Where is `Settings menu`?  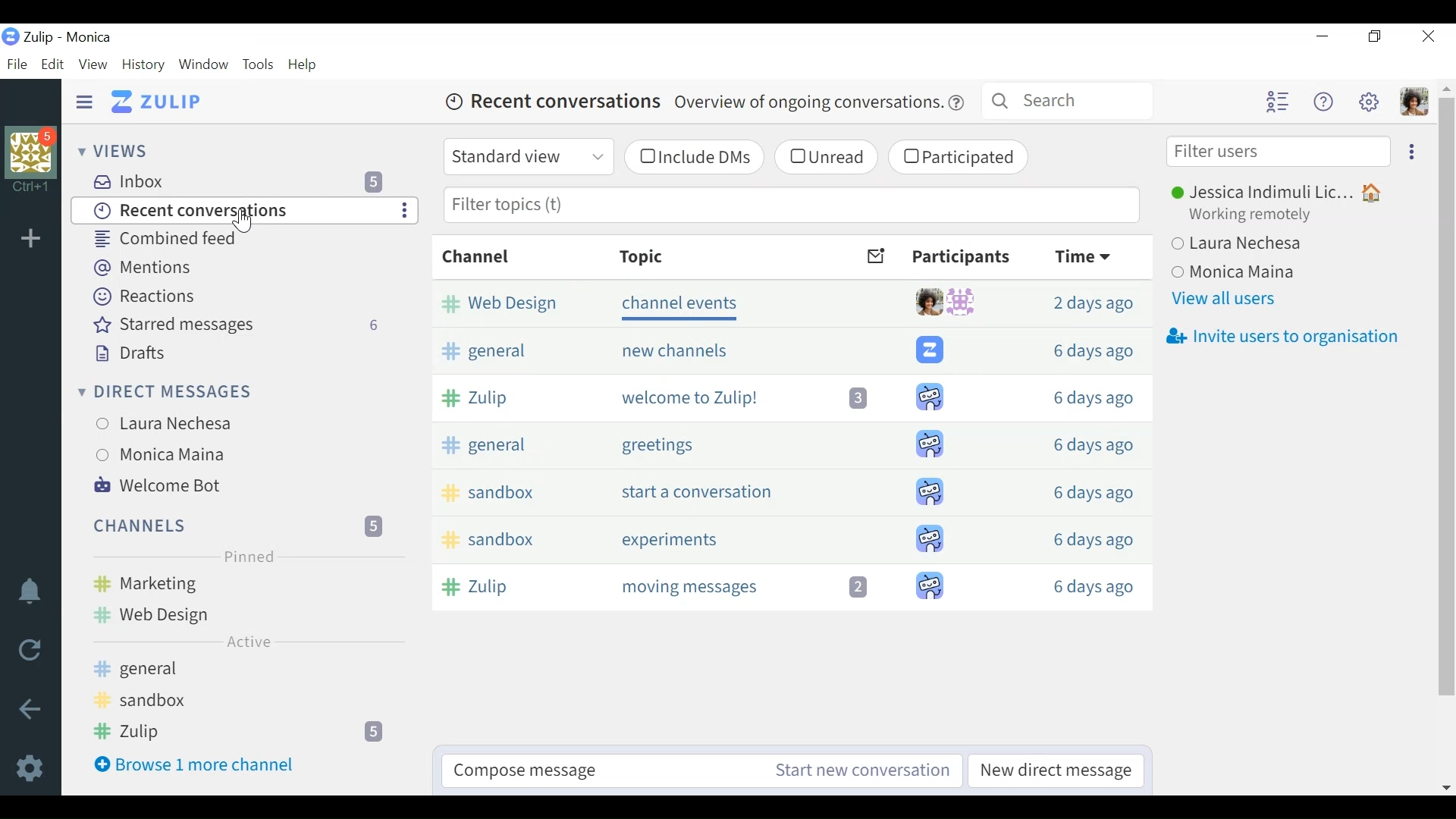 Settings menu is located at coordinates (1371, 102).